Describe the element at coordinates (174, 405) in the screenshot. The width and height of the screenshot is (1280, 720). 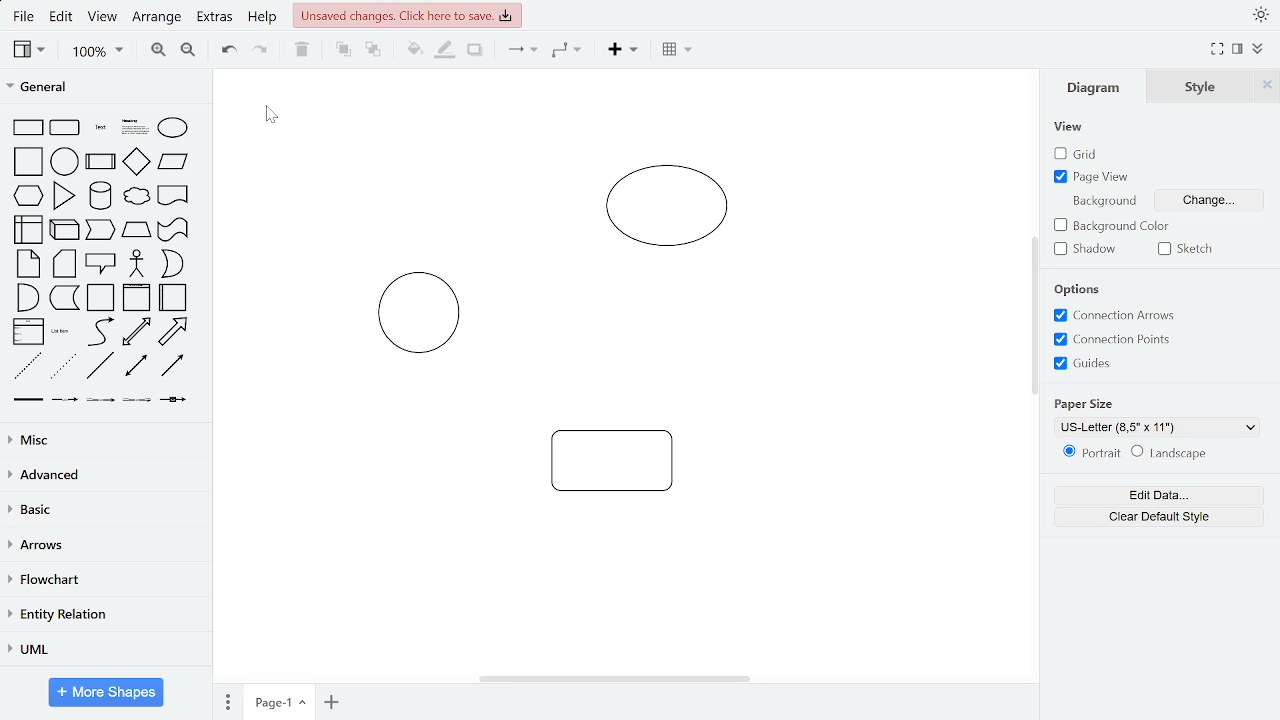
I see `Connector with symbol` at that location.